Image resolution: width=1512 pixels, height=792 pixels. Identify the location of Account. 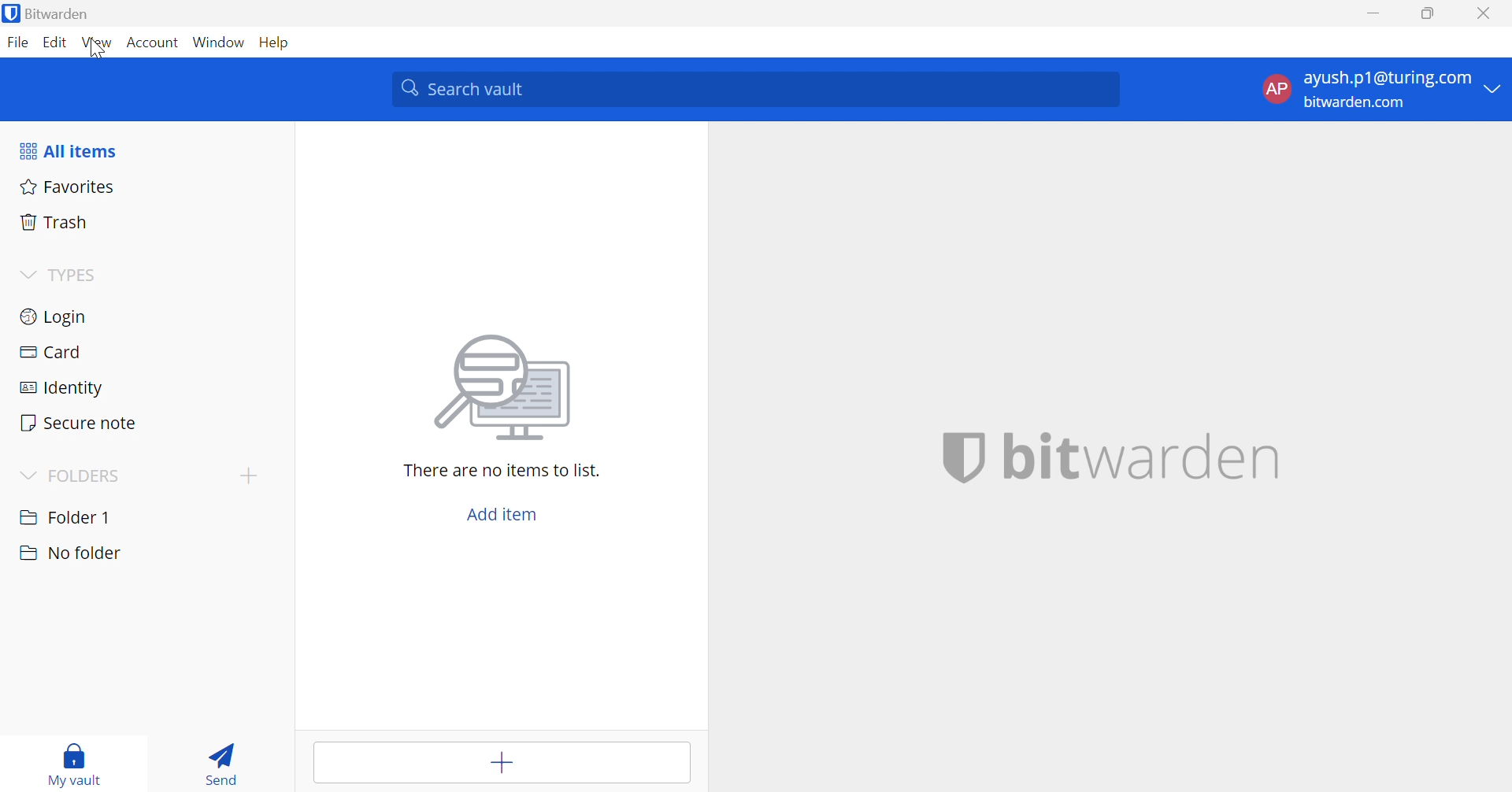
(152, 43).